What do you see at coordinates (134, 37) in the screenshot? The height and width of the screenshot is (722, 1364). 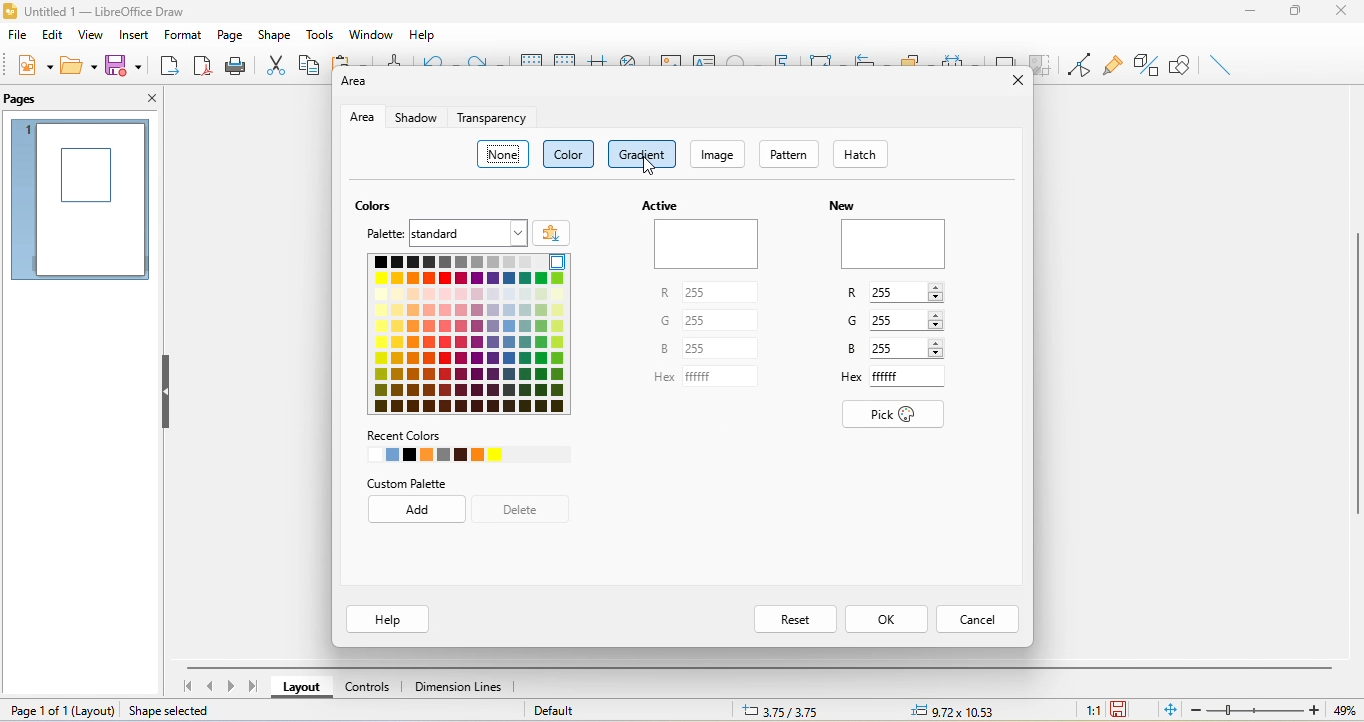 I see `insert` at bounding box center [134, 37].